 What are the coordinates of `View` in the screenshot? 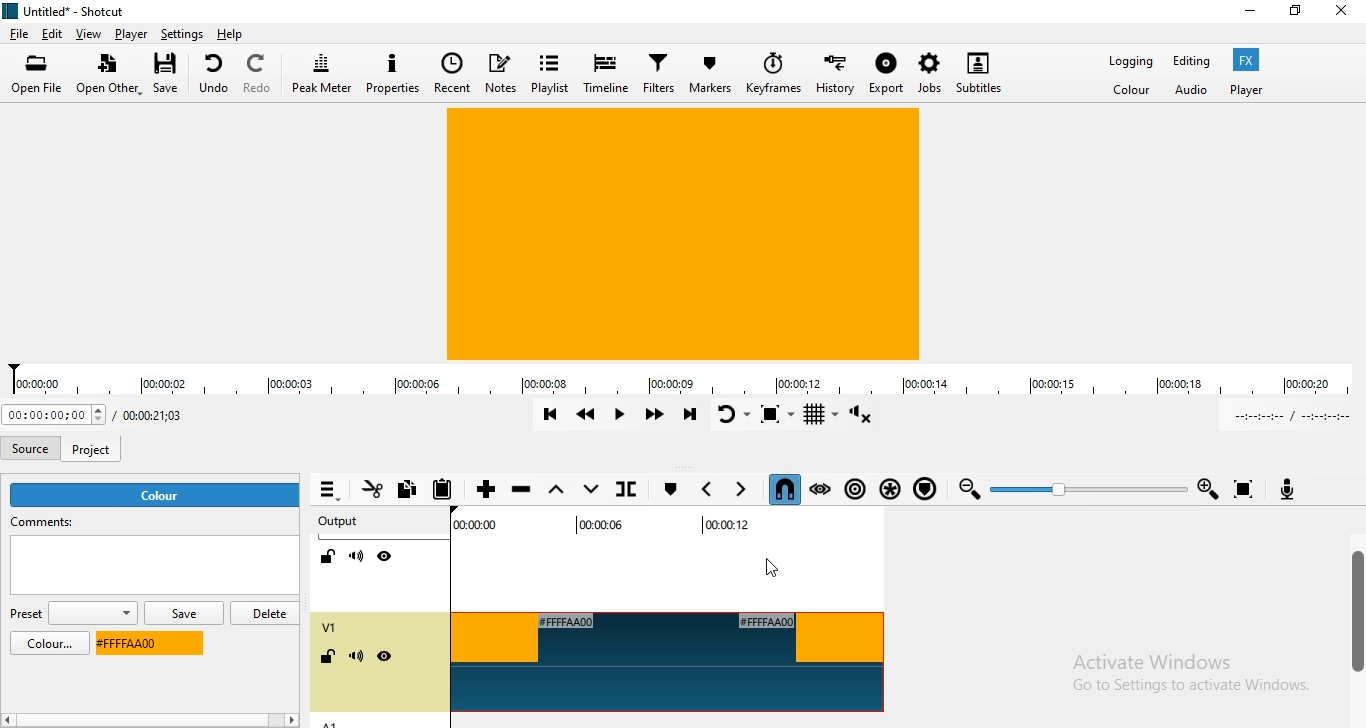 It's located at (89, 33).